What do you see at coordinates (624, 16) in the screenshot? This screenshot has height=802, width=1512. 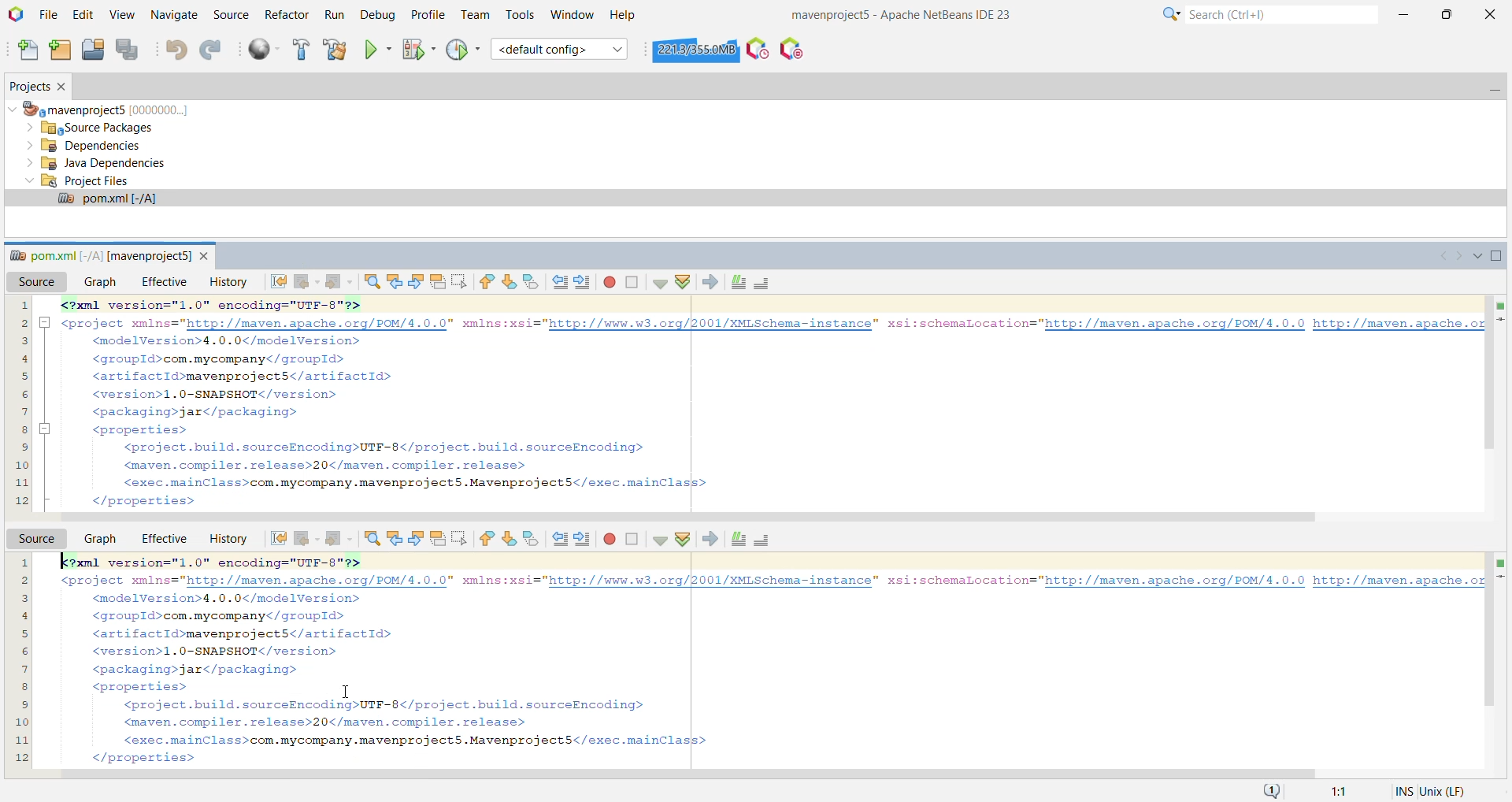 I see `Help` at bounding box center [624, 16].